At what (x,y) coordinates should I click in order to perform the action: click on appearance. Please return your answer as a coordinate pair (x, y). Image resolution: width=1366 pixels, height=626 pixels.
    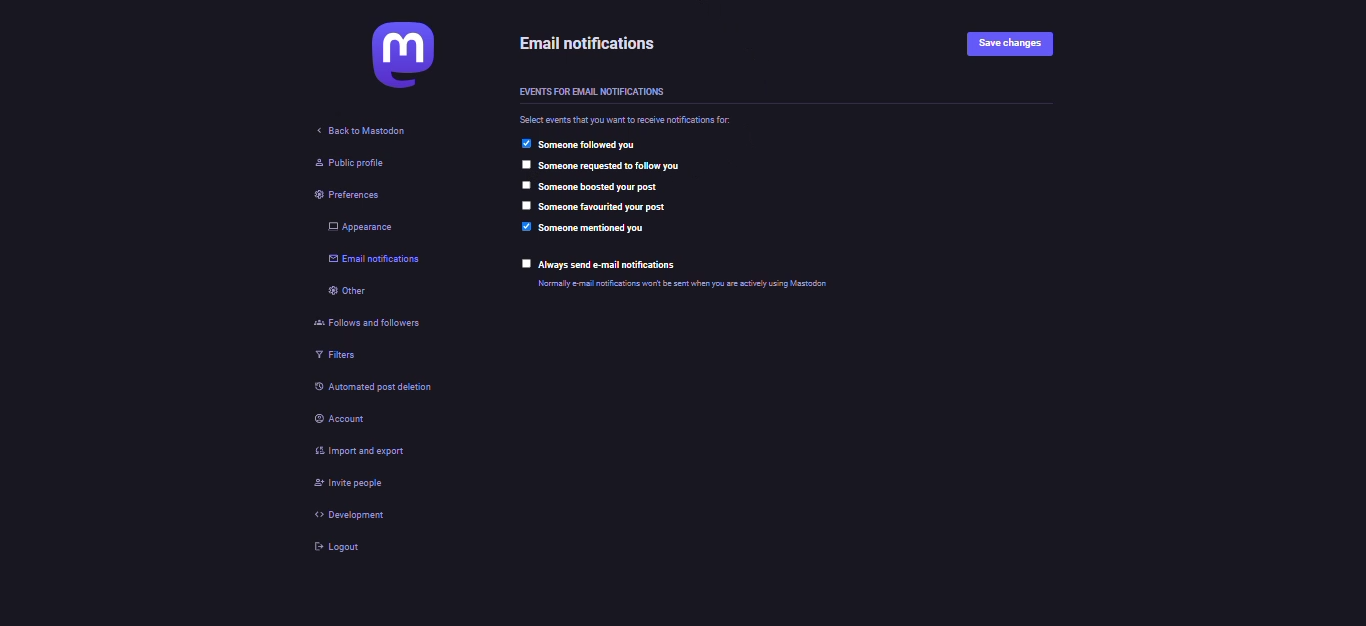
    Looking at the image, I should click on (354, 226).